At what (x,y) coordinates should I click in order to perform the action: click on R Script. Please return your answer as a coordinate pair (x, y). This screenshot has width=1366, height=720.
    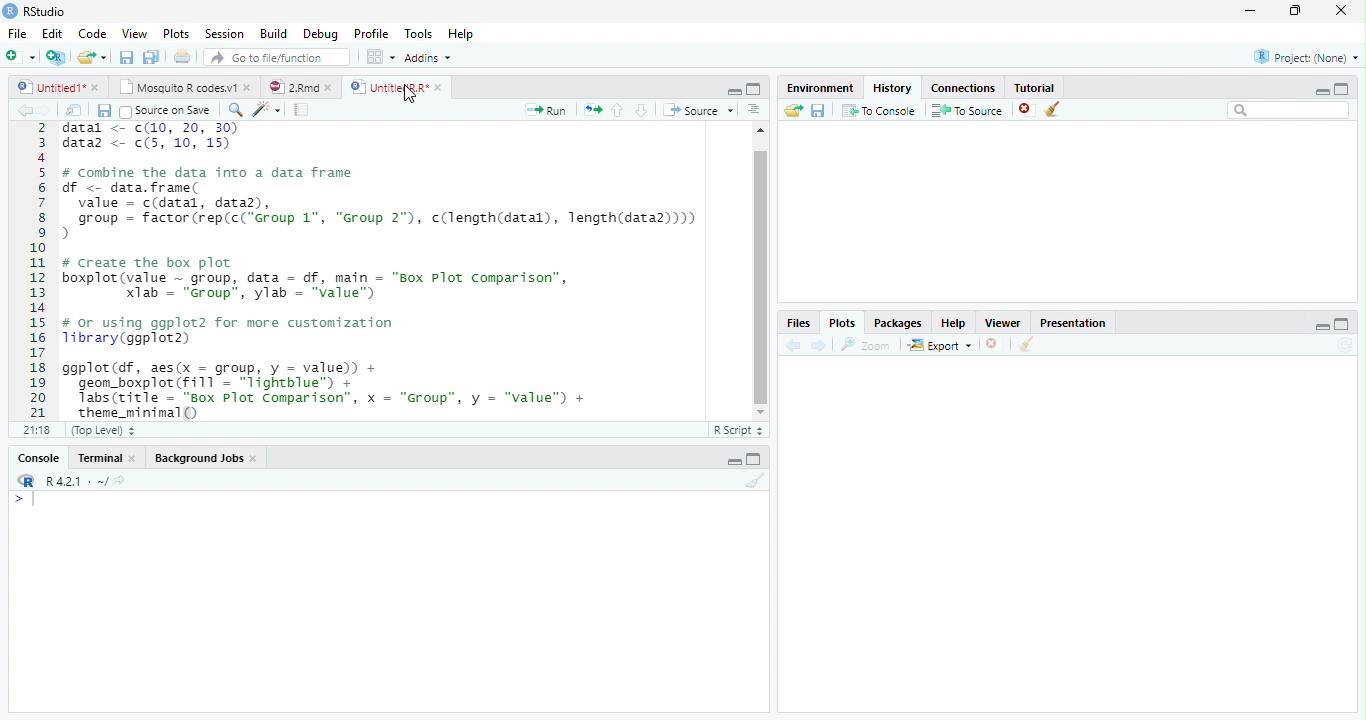
    Looking at the image, I should click on (738, 431).